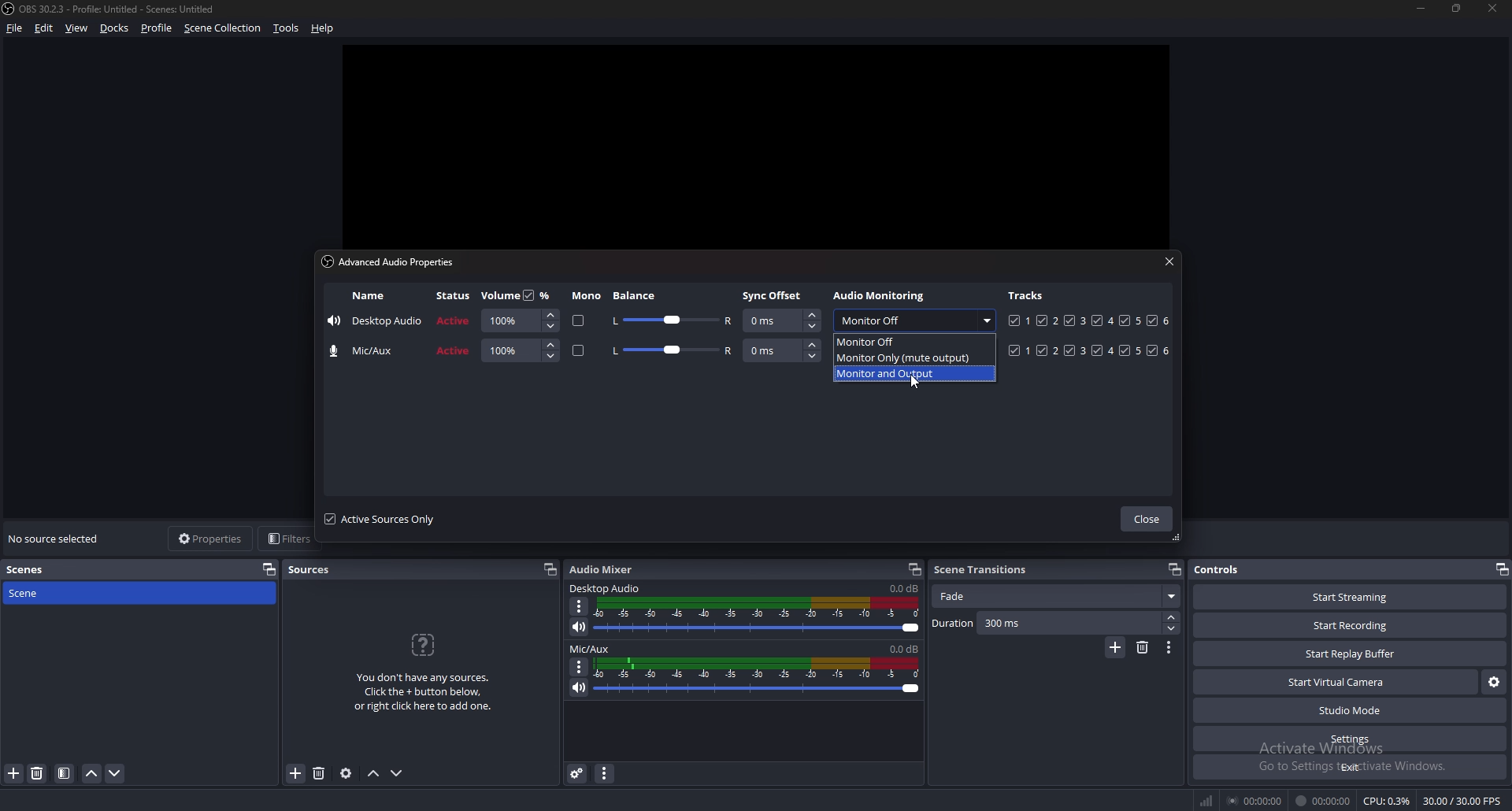 This screenshot has width=1512, height=811. I want to click on audio monitoring, so click(880, 294).